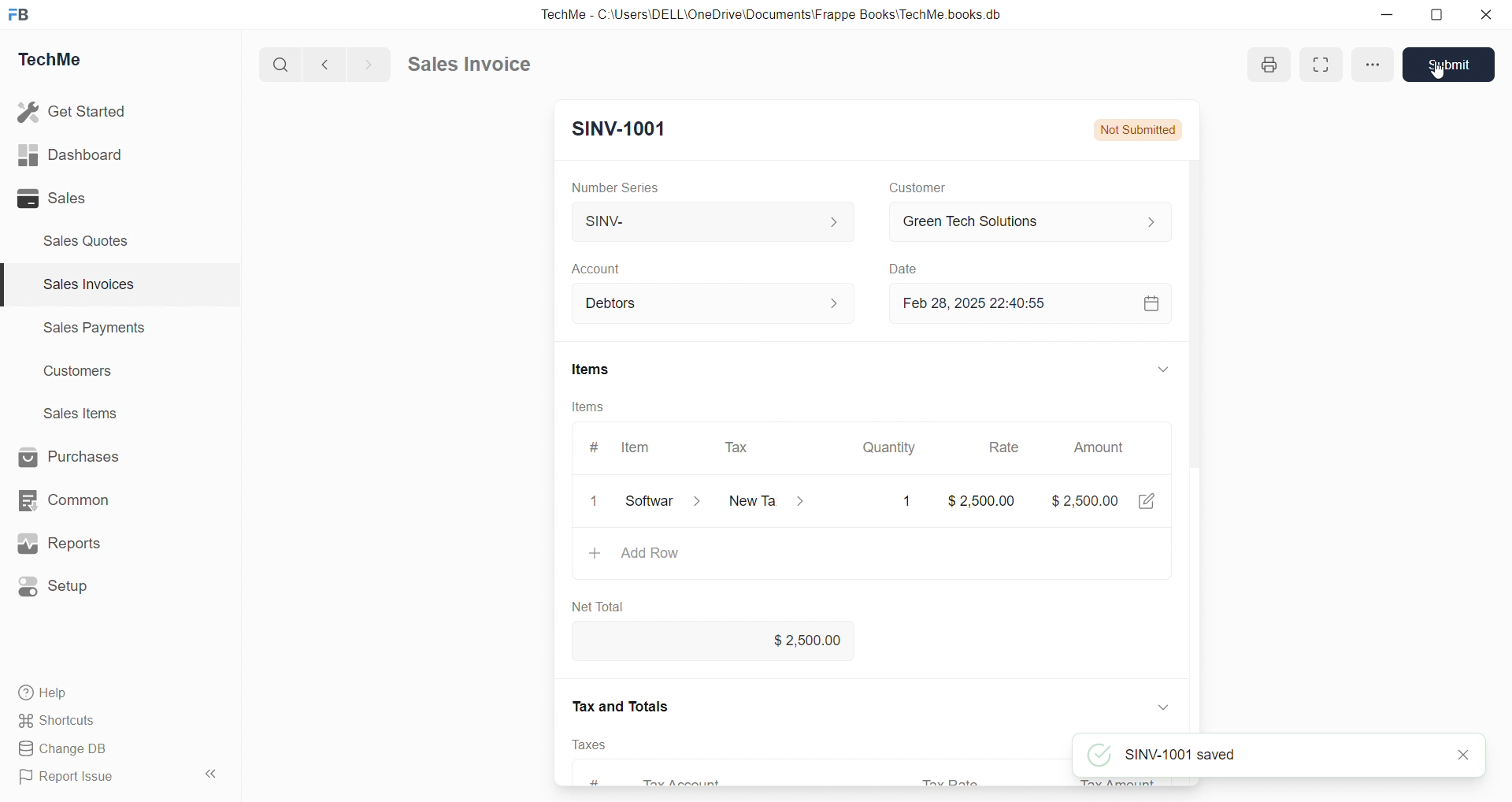 This screenshot has width=1512, height=802. What do you see at coordinates (80, 373) in the screenshot?
I see `Customers` at bounding box center [80, 373].